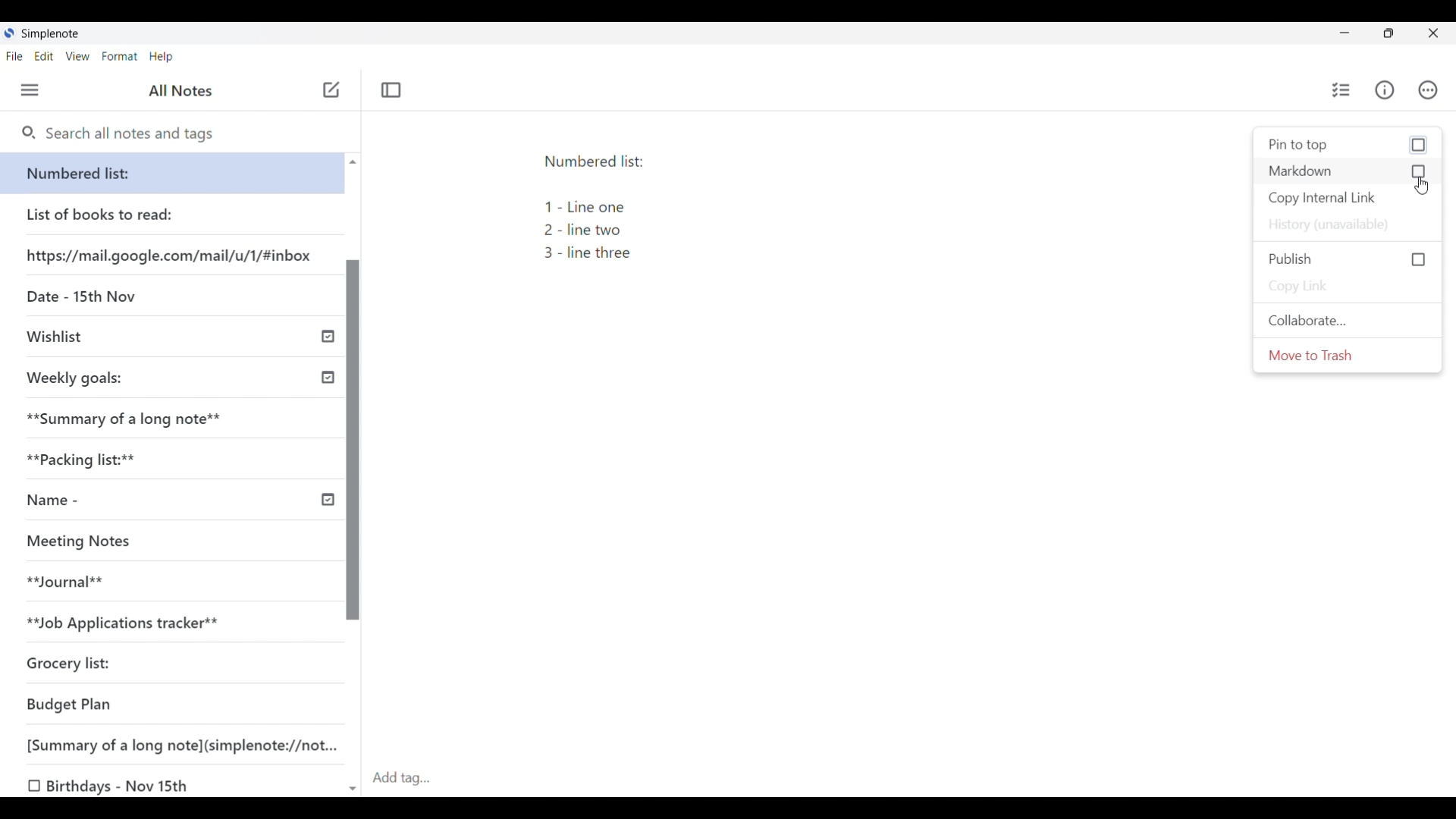  Describe the element at coordinates (186, 92) in the screenshot. I see `All Notes` at that location.